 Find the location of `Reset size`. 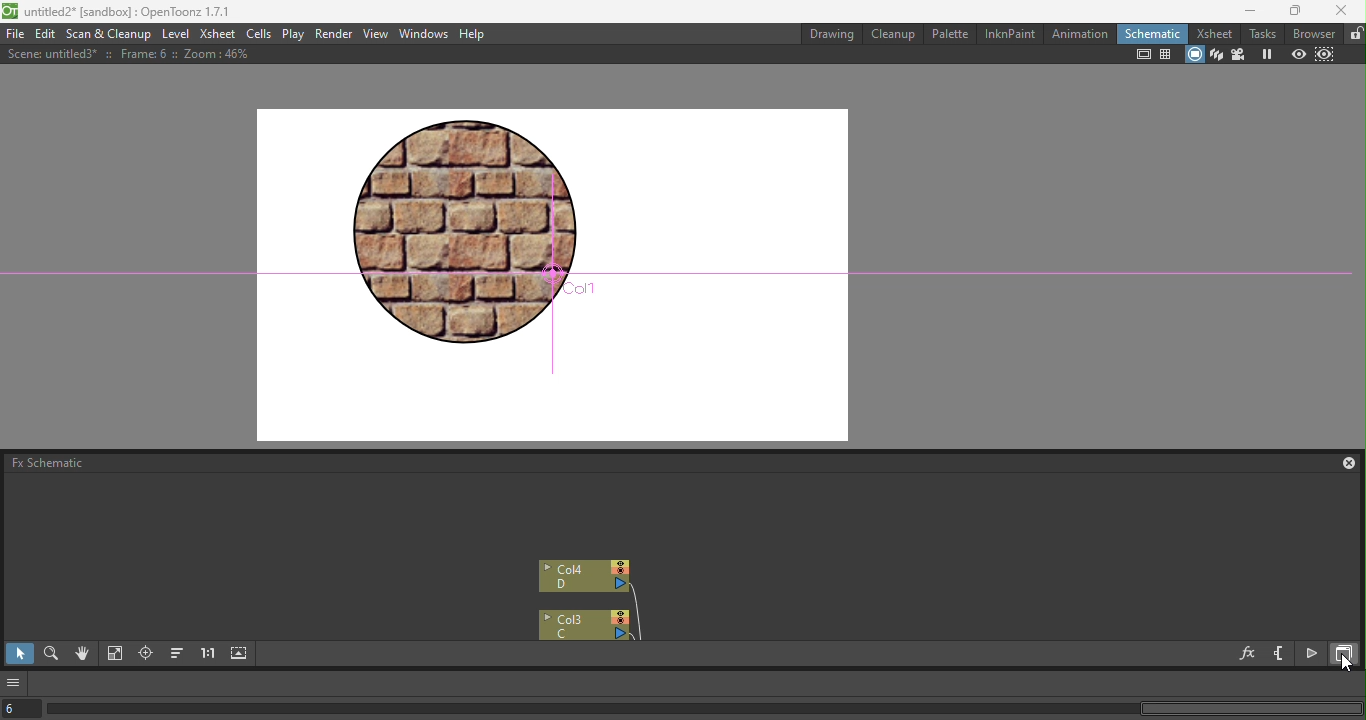

Reset size is located at coordinates (208, 655).